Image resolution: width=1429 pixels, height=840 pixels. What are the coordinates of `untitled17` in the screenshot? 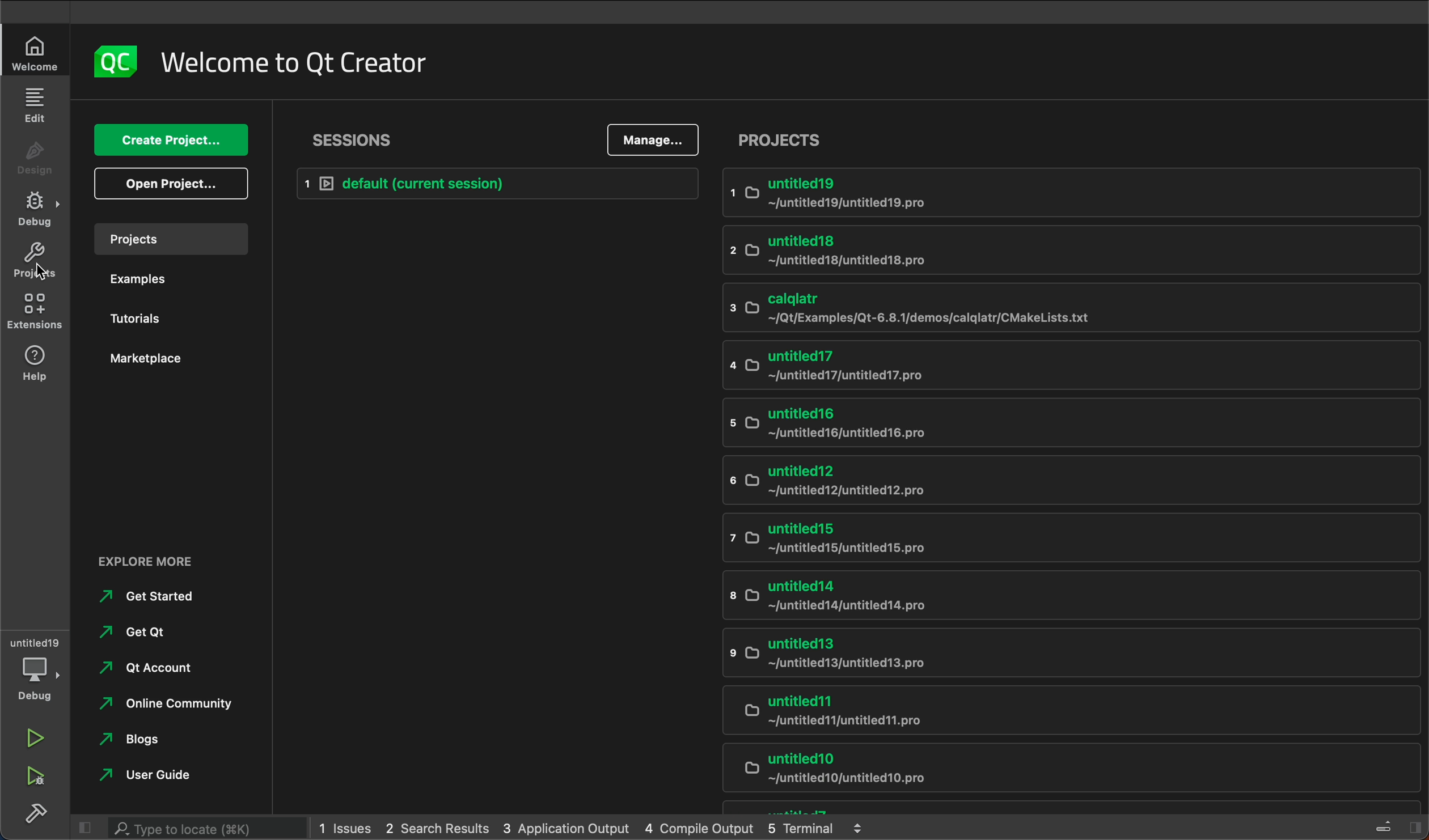 It's located at (1073, 367).